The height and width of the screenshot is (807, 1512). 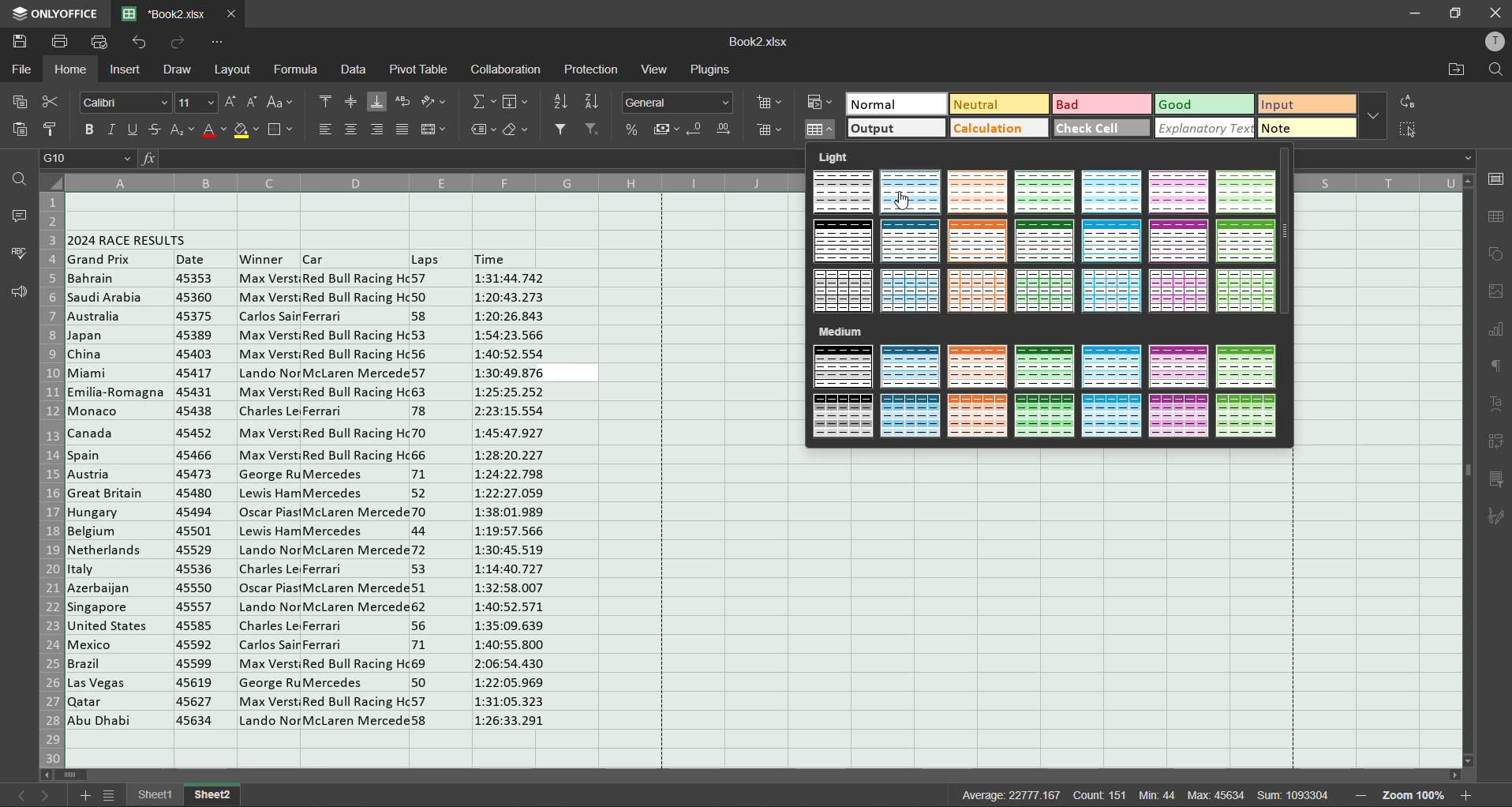 What do you see at coordinates (910, 290) in the screenshot?
I see `table style light 16` at bounding box center [910, 290].